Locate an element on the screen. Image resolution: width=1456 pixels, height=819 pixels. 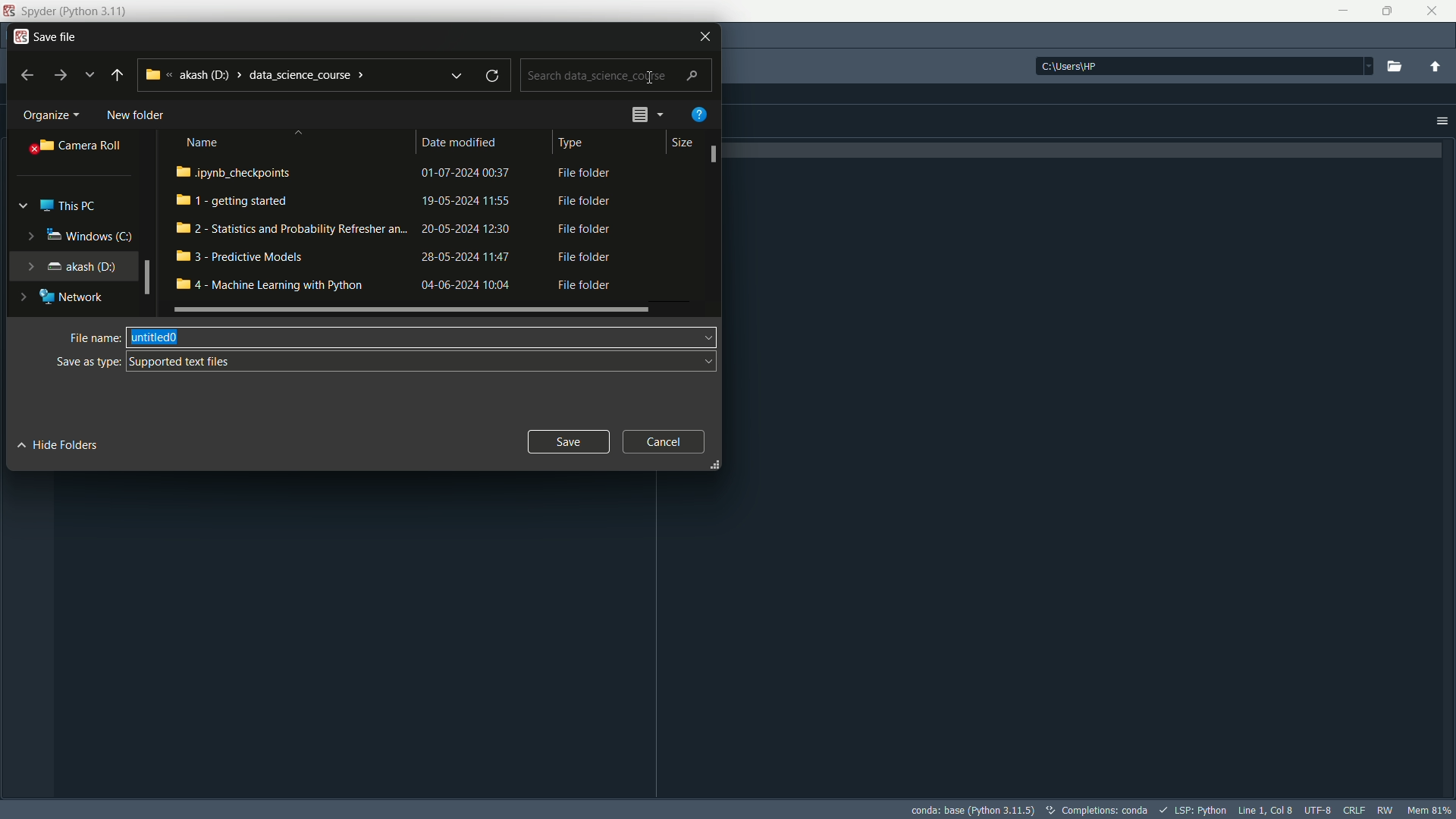
refresh is located at coordinates (491, 77).